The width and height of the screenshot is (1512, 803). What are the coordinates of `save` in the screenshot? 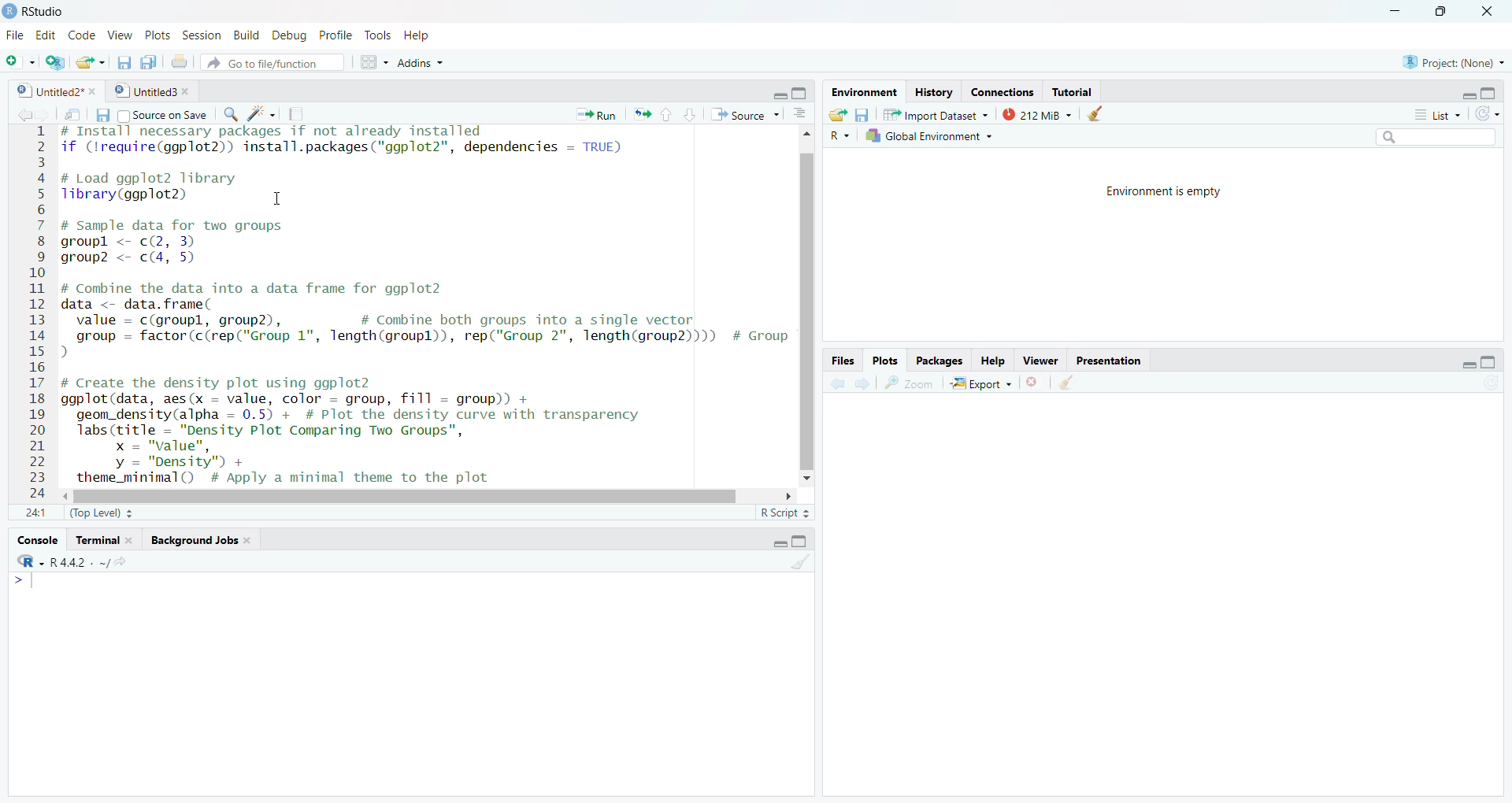 It's located at (100, 114).